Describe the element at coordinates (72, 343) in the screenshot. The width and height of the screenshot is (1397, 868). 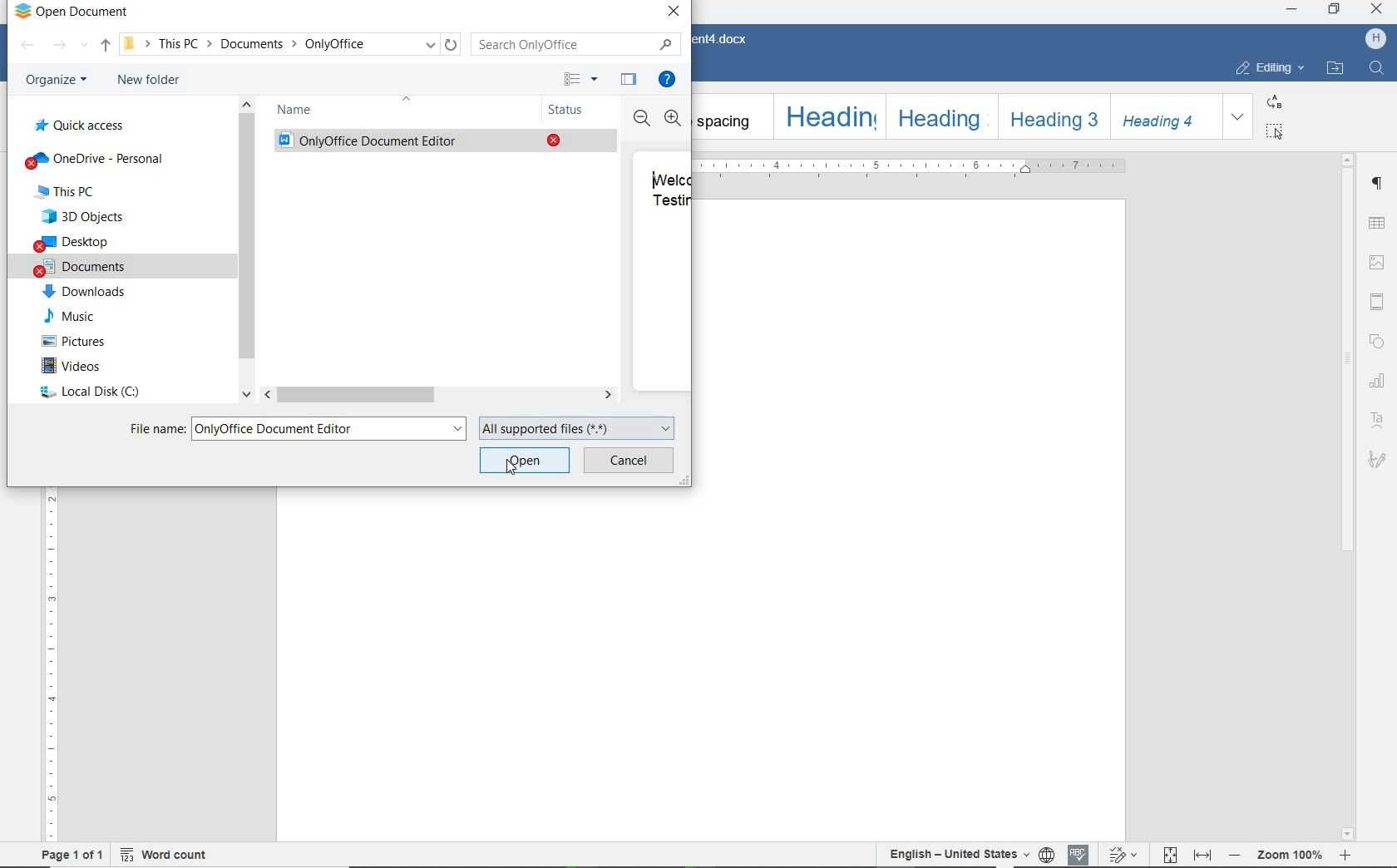
I see `pictures` at that location.